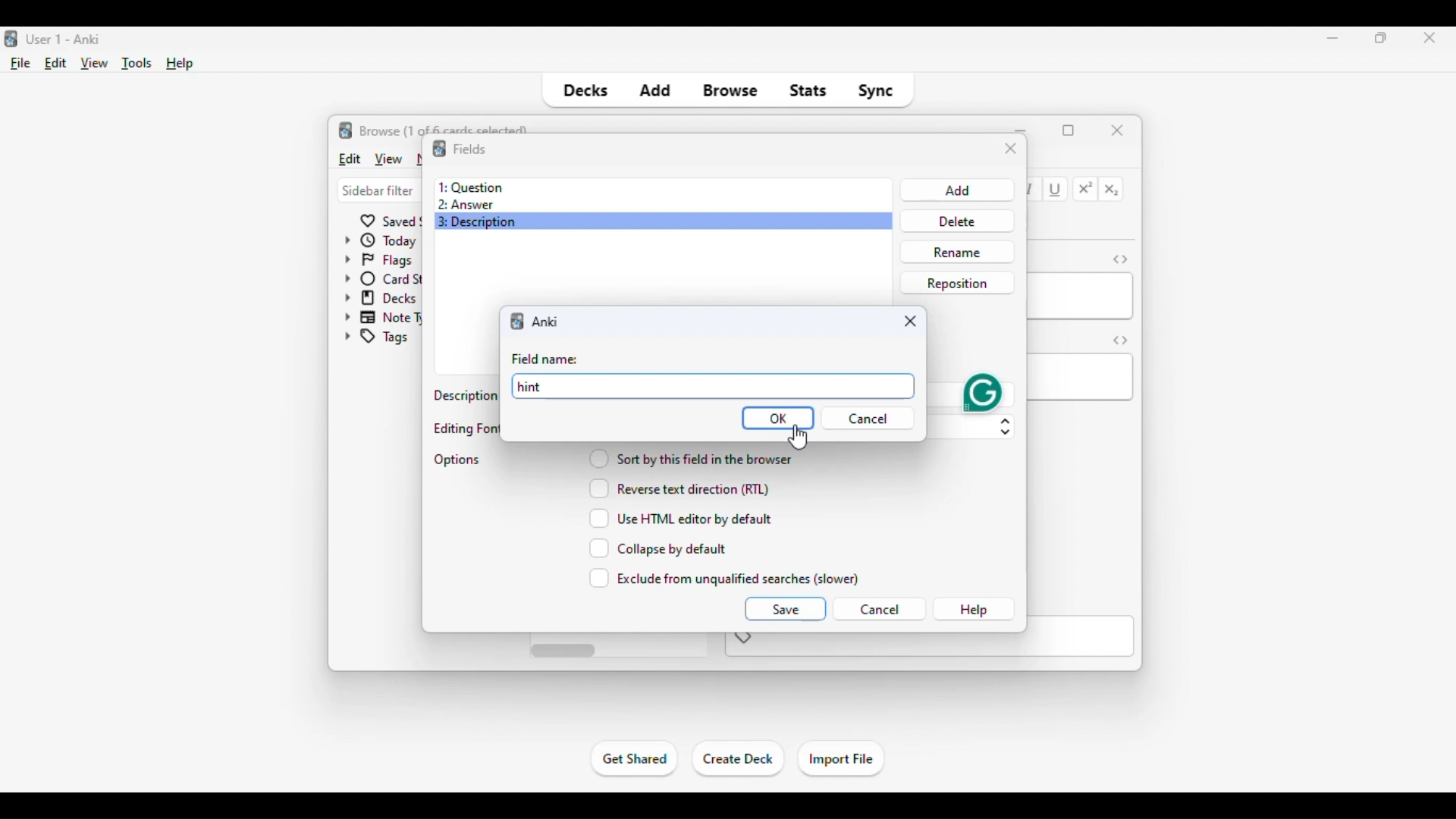 The height and width of the screenshot is (819, 1456). Describe the element at coordinates (840, 760) in the screenshot. I see `import file` at that location.